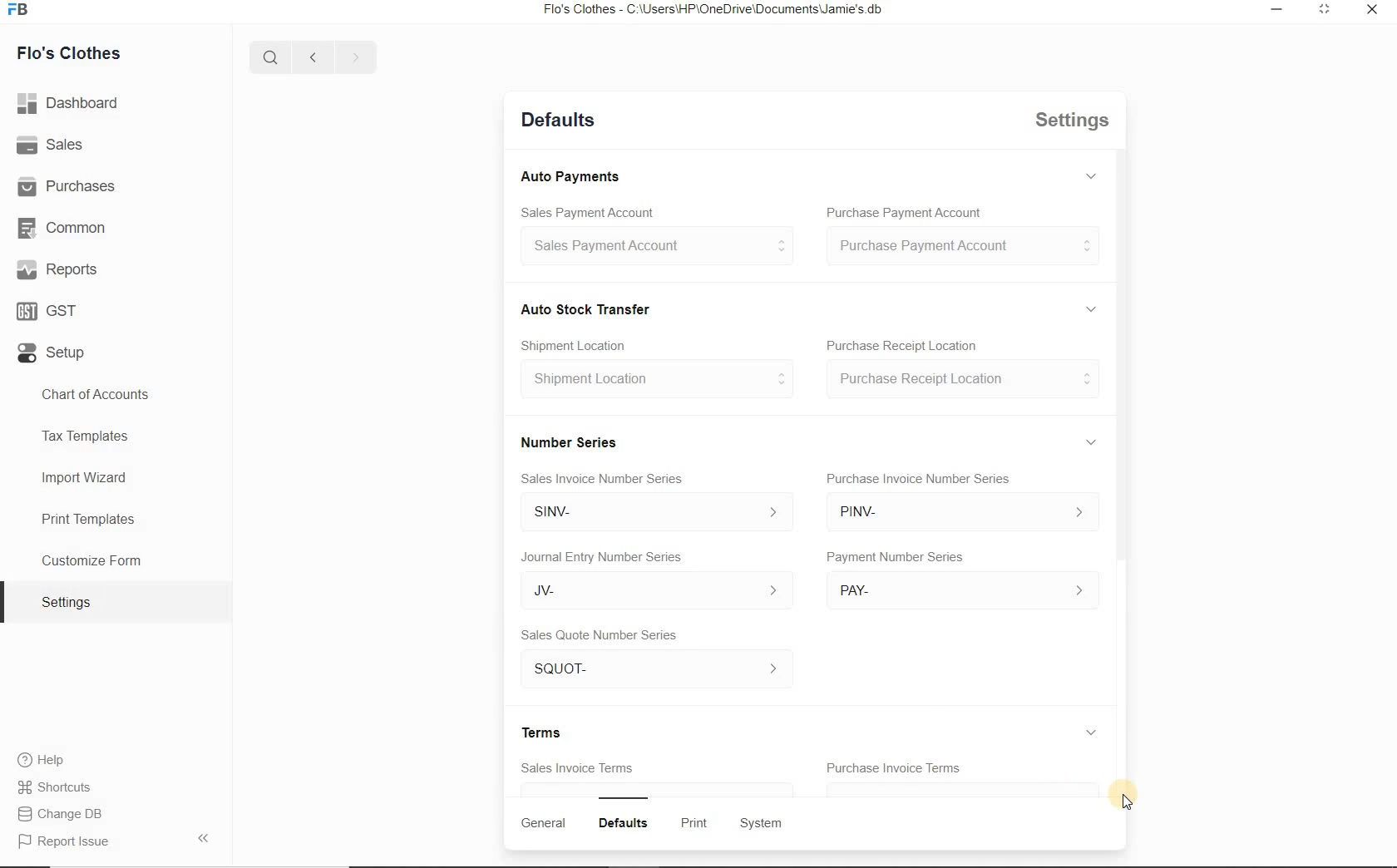 The image size is (1397, 868). What do you see at coordinates (66, 229) in the screenshot?
I see `Common` at bounding box center [66, 229].